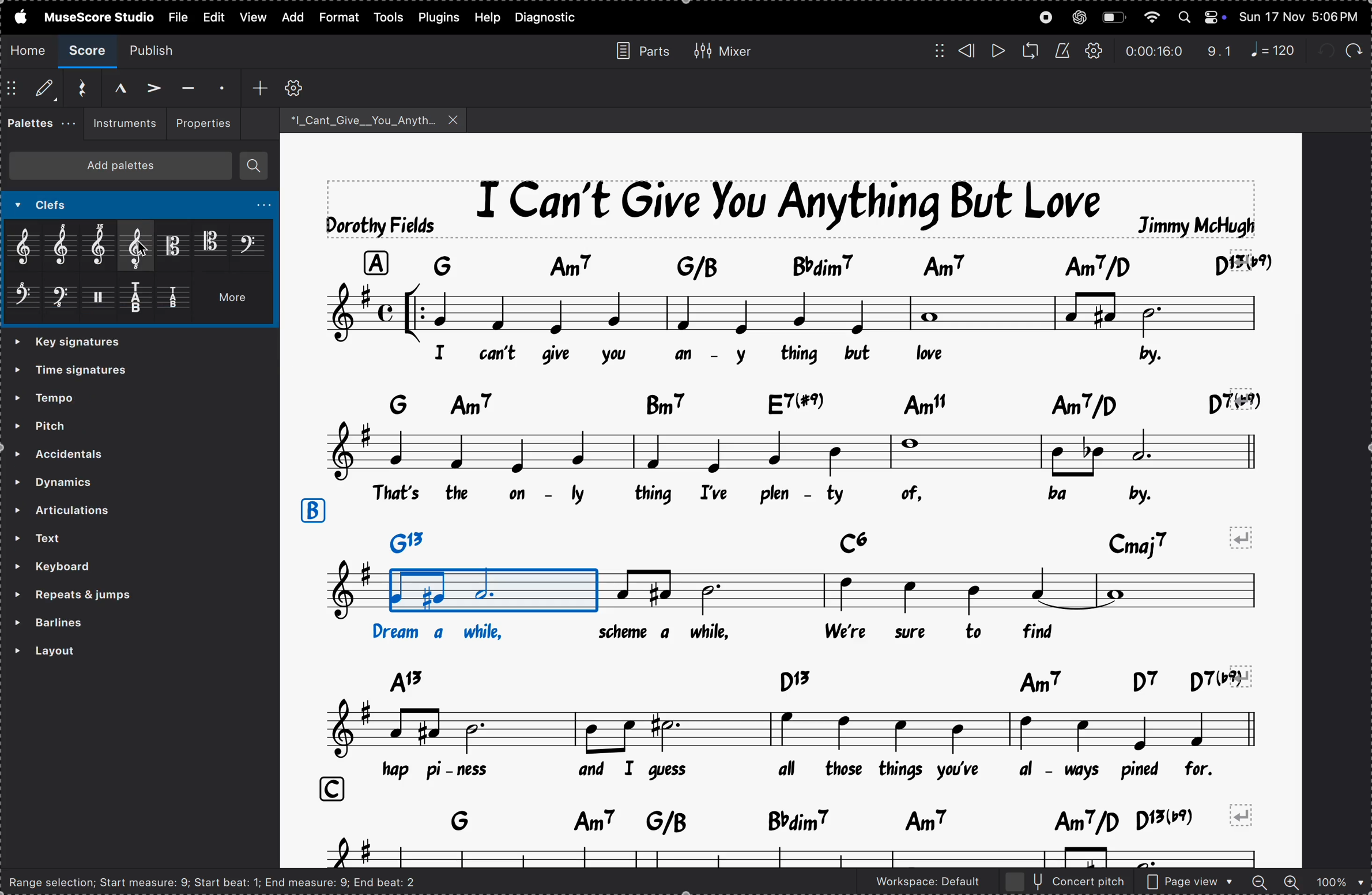  What do you see at coordinates (186, 88) in the screenshot?
I see `tenuto` at bounding box center [186, 88].